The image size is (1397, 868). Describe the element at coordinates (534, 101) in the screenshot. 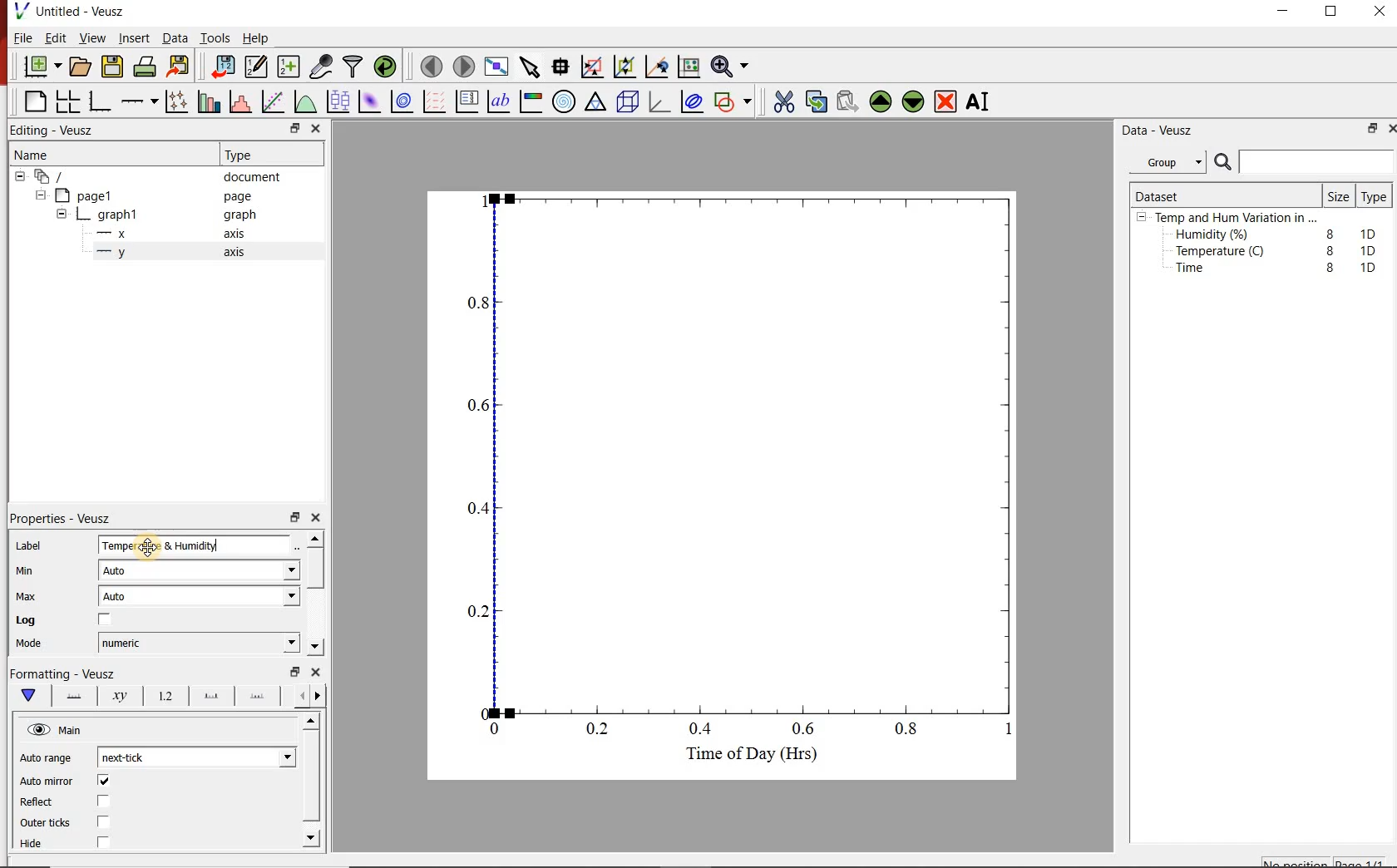

I see `image color bar` at that location.